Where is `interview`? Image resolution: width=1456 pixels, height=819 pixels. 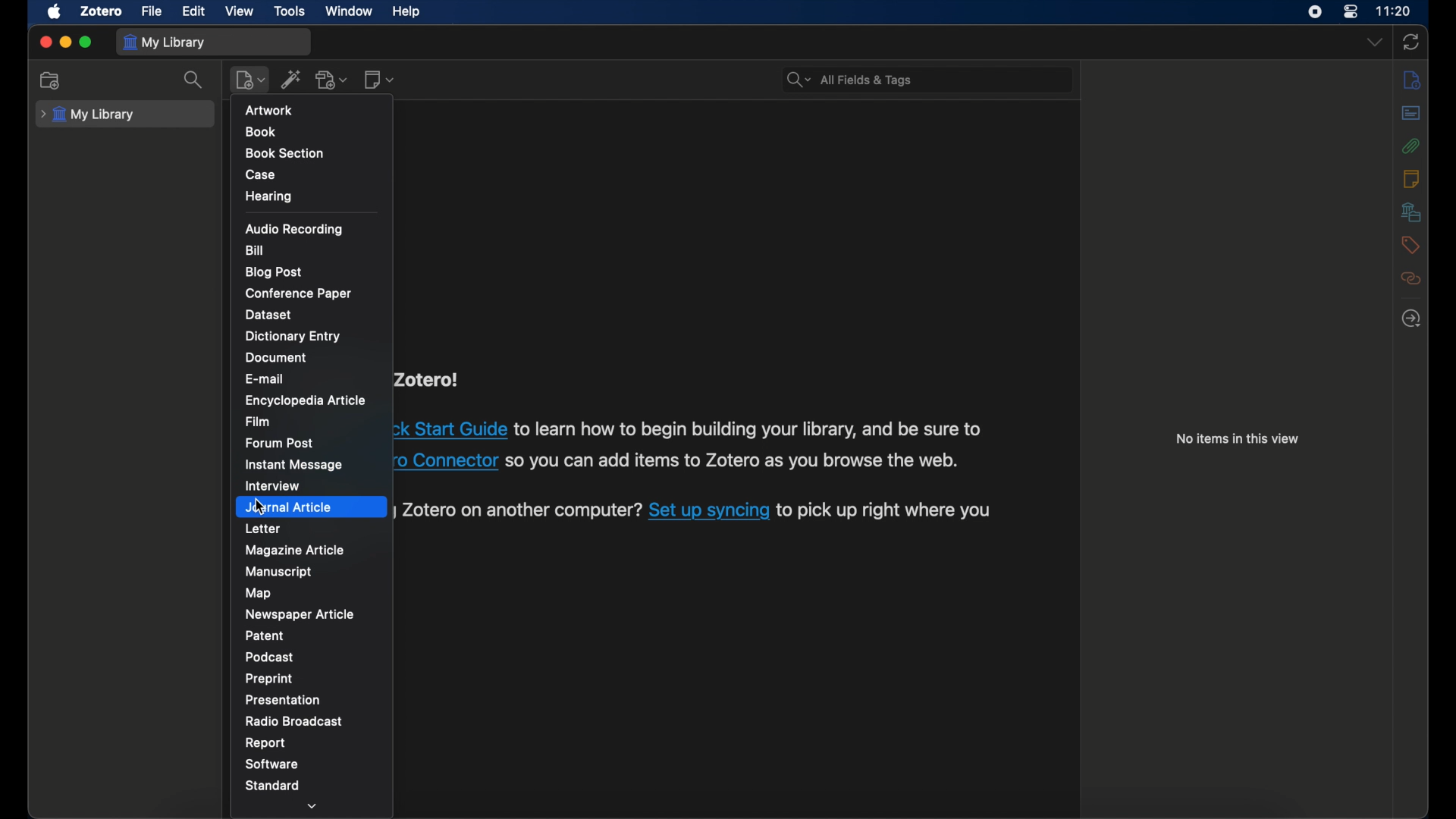
interview is located at coordinates (272, 485).